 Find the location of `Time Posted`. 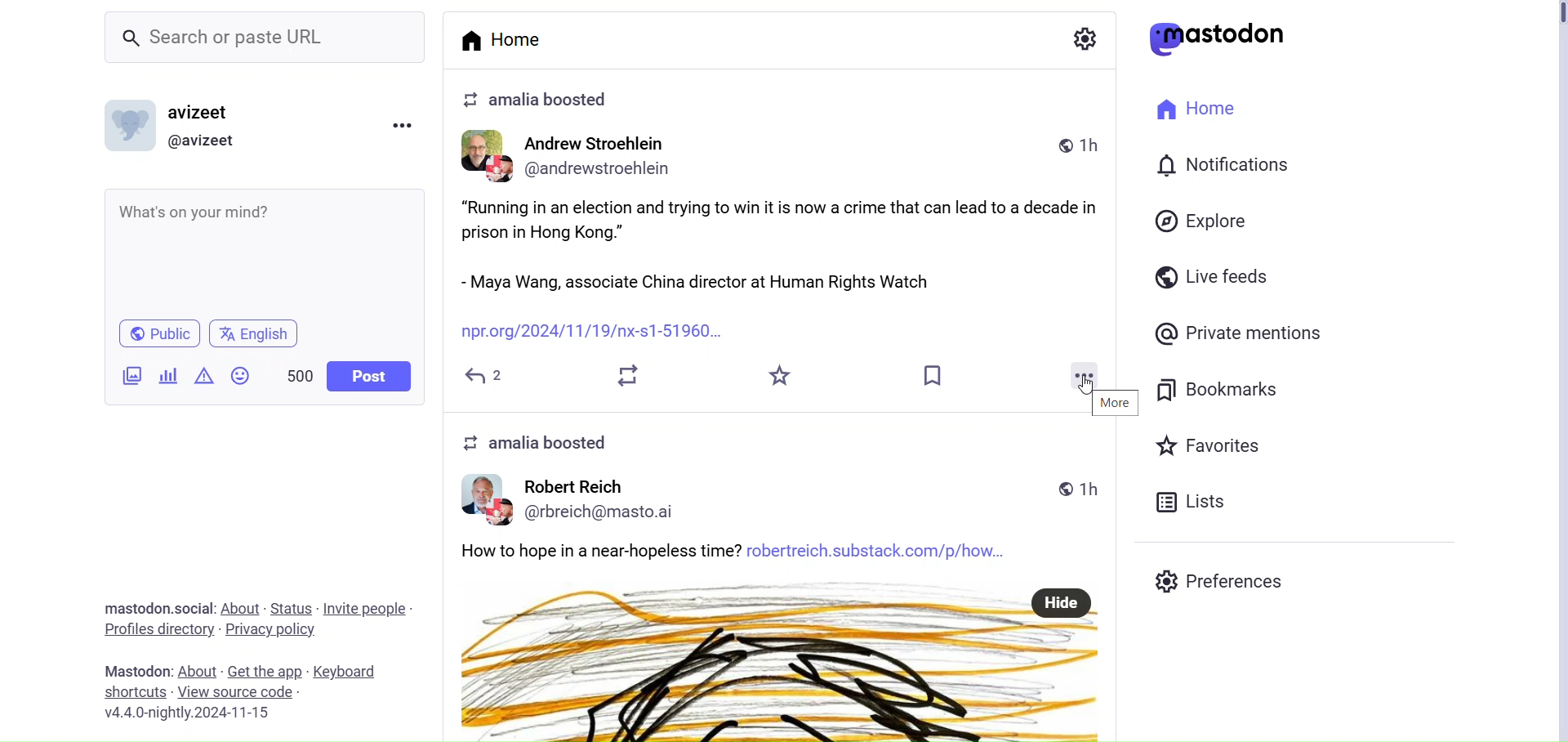

Time Posted is located at coordinates (1079, 485).